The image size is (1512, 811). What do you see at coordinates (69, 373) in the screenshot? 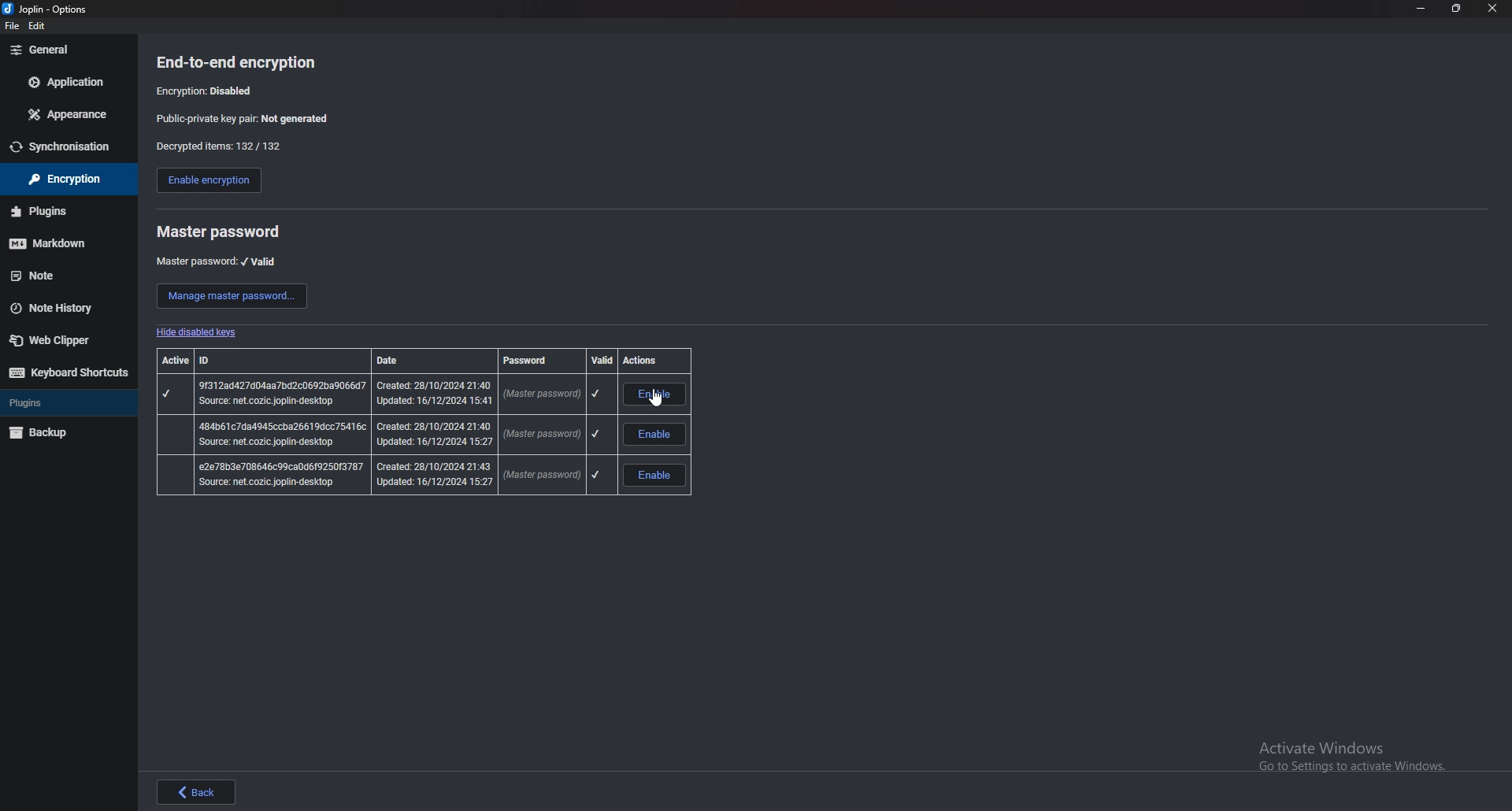
I see `keyboard shortcuts` at bounding box center [69, 373].